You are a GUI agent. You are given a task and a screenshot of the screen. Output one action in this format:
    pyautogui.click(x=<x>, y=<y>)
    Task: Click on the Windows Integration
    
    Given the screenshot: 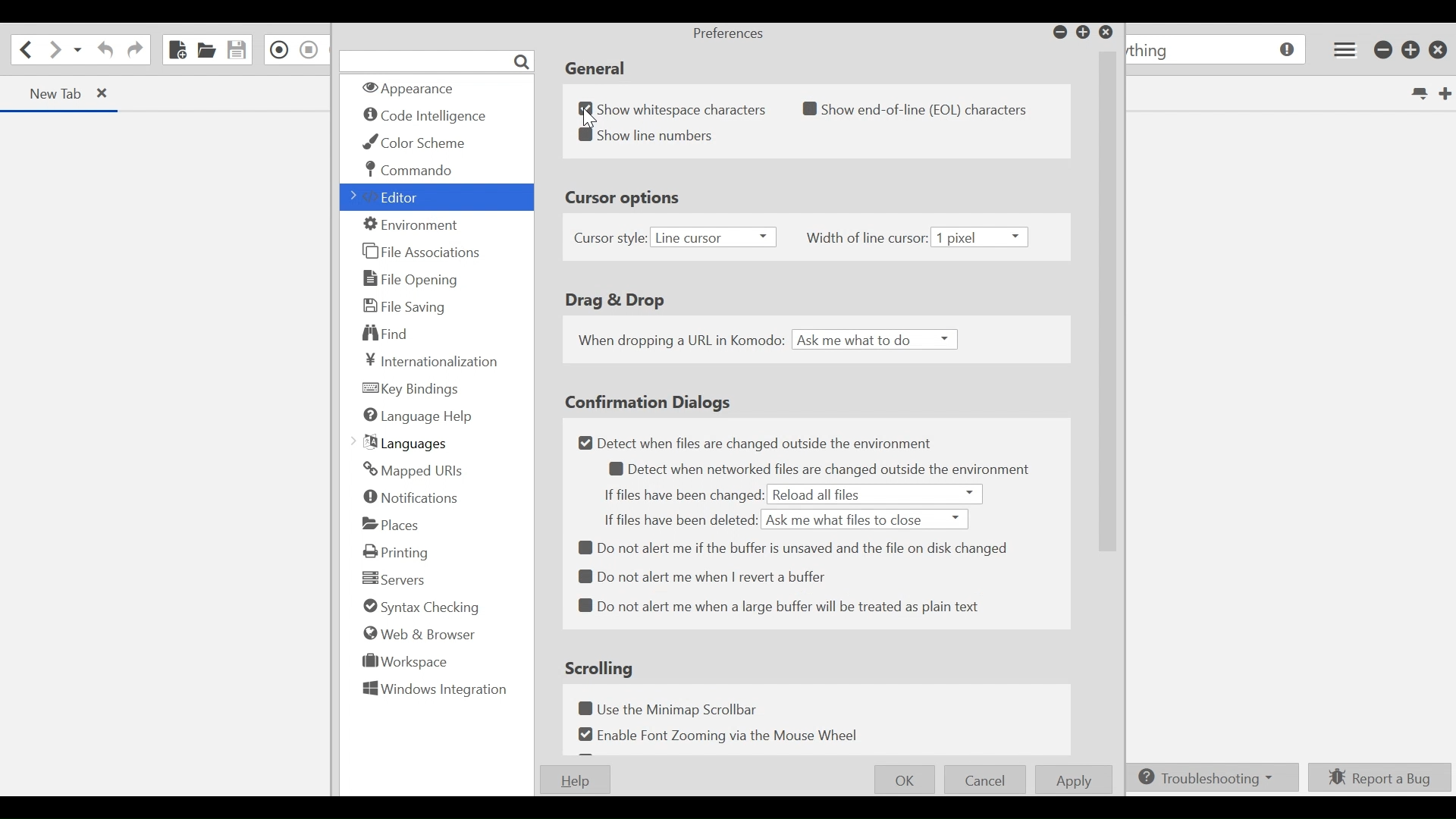 What is the action you would take?
    pyautogui.click(x=433, y=691)
    